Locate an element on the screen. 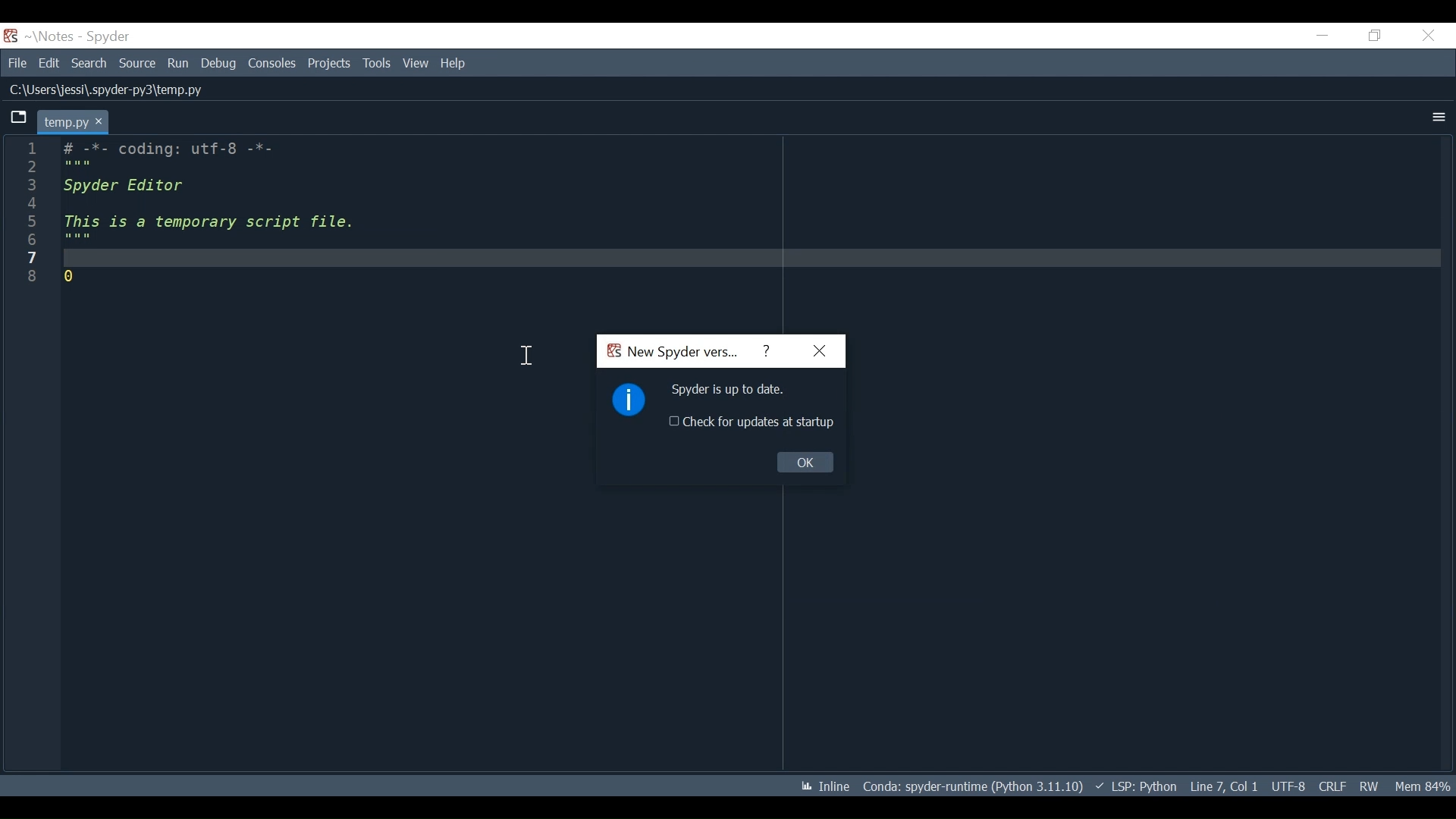 This screenshot has width=1456, height=819. Spyder Desktop Icon is located at coordinates (11, 36).